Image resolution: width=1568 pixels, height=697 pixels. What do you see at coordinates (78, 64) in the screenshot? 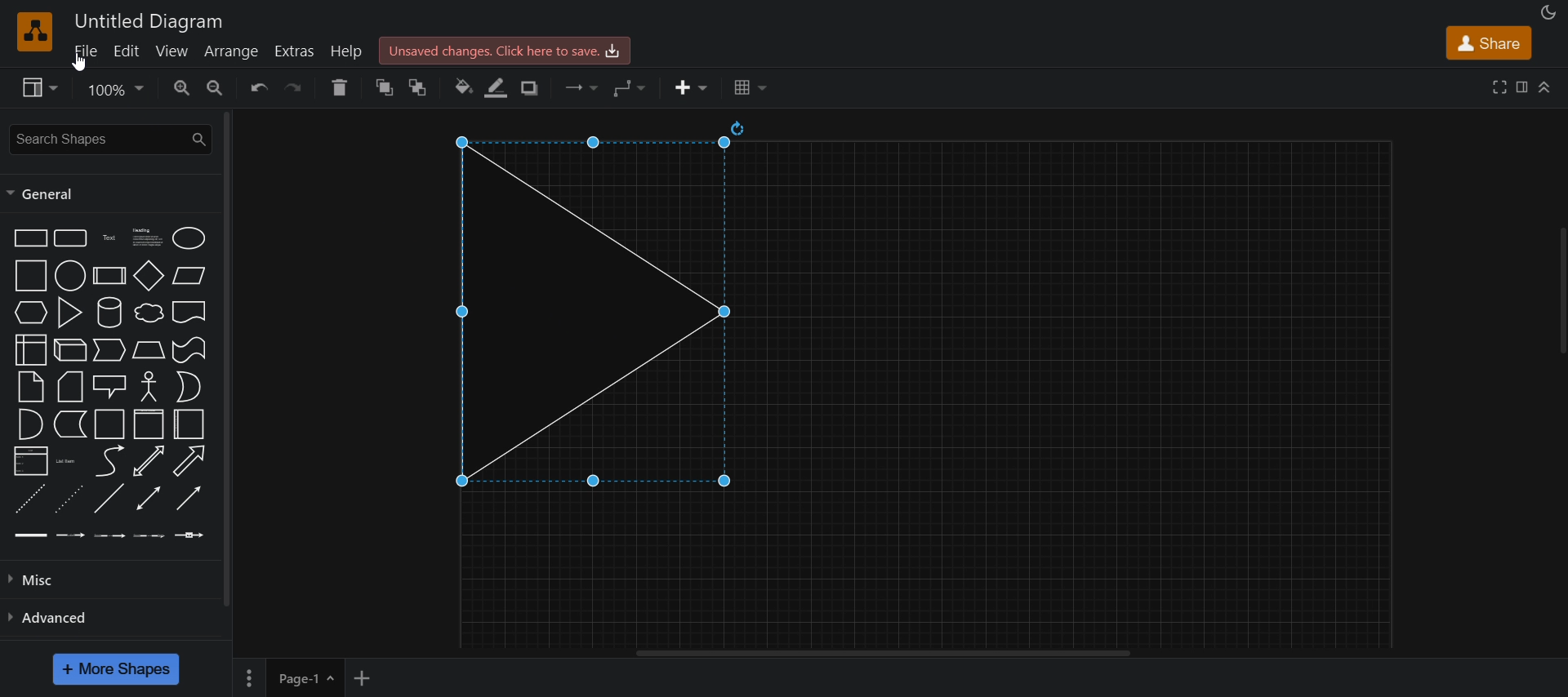
I see `cursor` at bounding box center [78, 64].